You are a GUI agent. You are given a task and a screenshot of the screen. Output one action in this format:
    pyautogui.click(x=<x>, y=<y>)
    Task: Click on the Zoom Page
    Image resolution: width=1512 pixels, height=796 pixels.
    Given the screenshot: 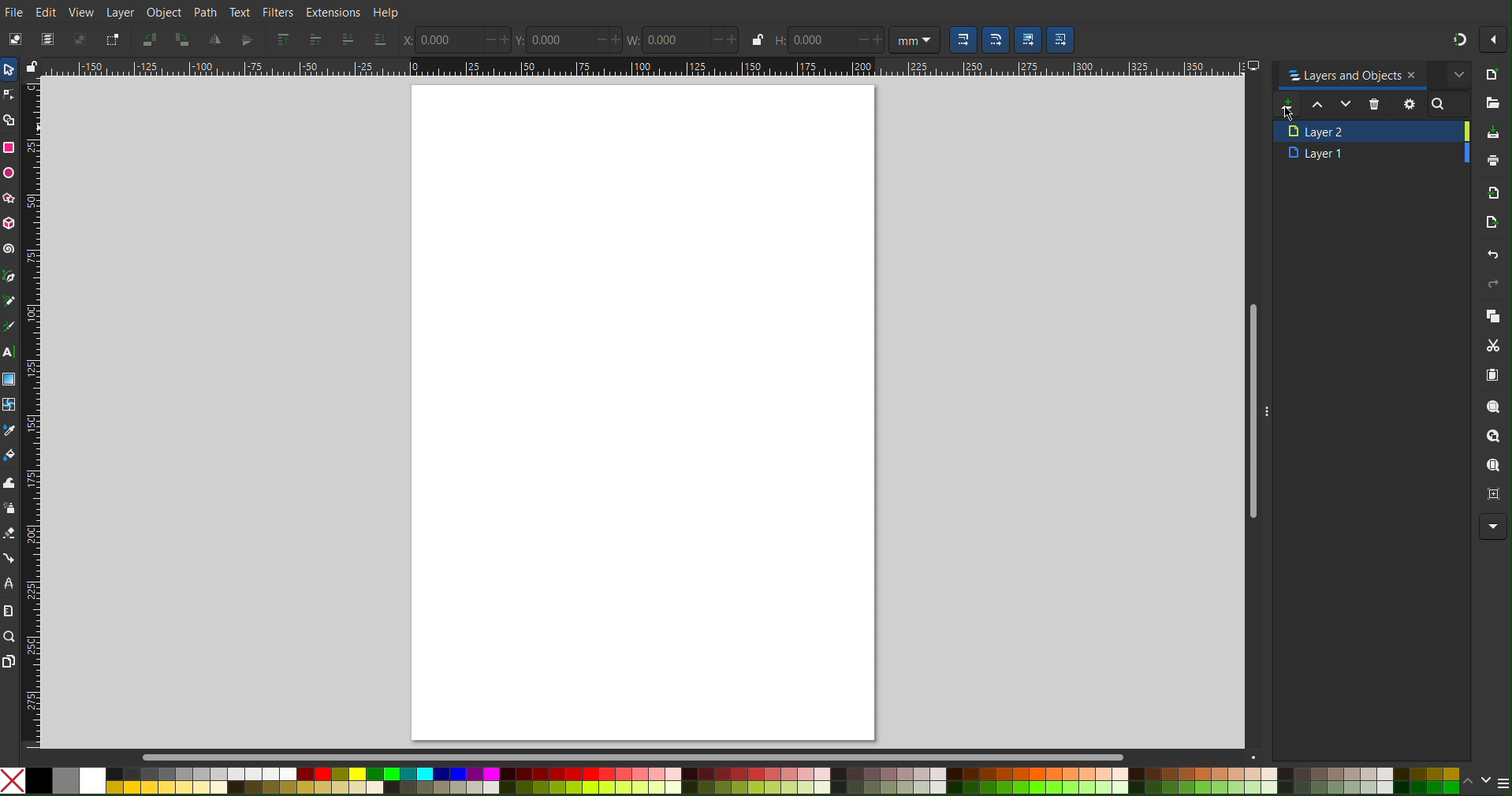 What is the action you would take?
    pyautogui.click(x=1492, y=467)
    